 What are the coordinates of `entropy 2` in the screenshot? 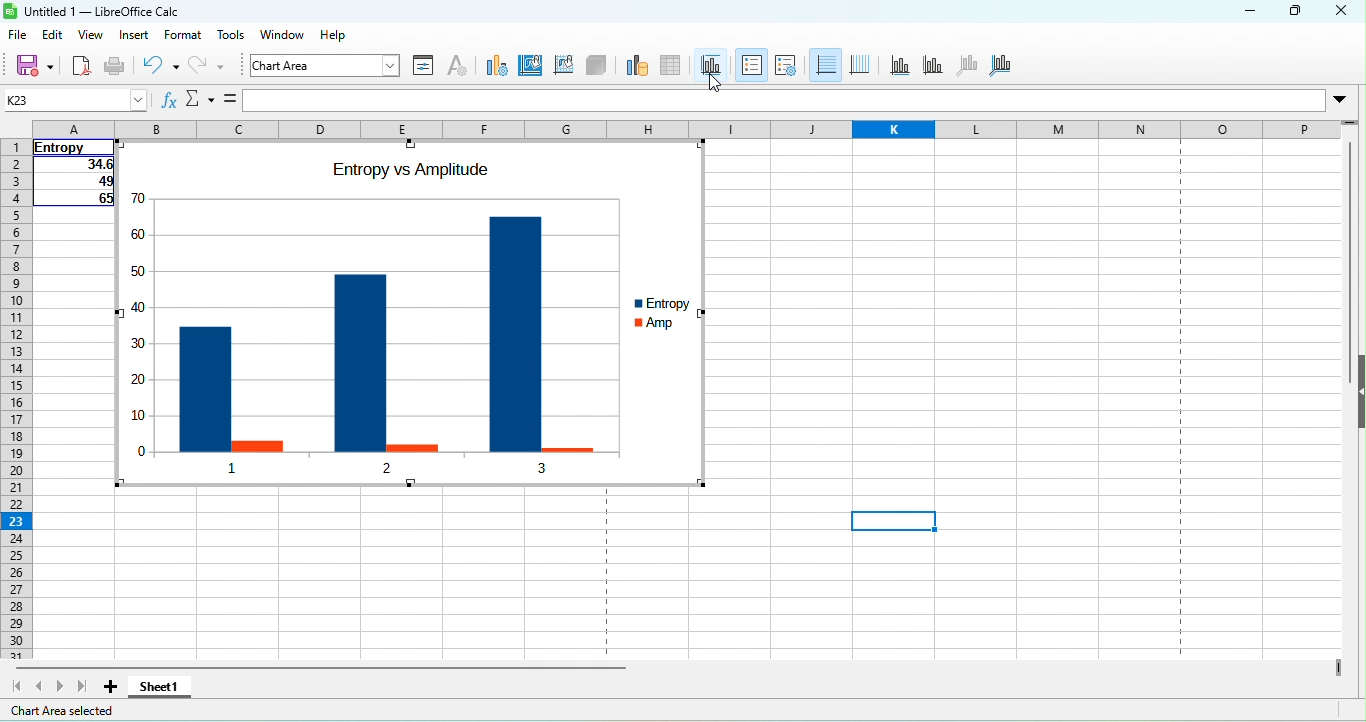 It's located at (359, 348).